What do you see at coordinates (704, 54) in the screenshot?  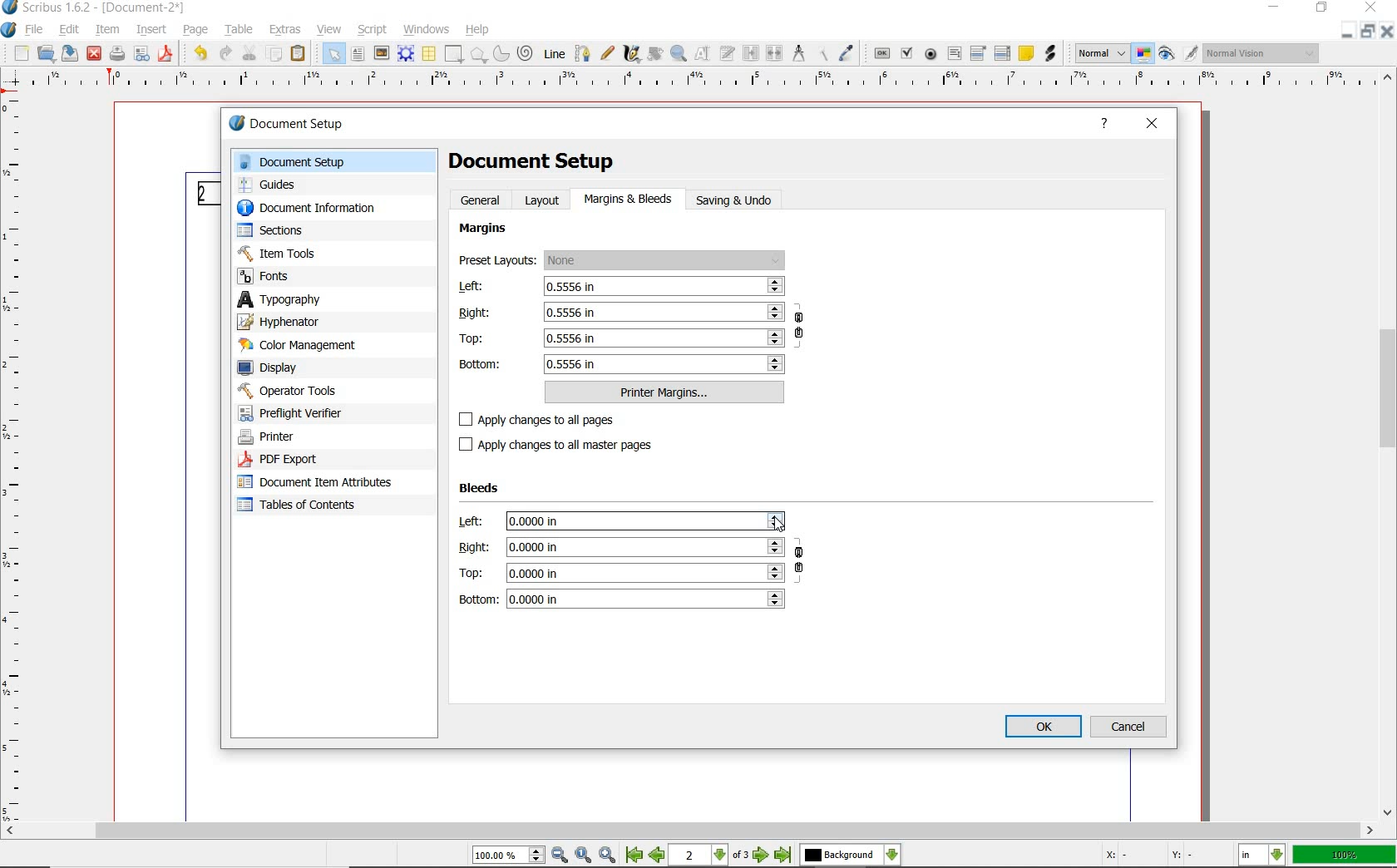 I see `edit contents of frame` at bounding box center [704, 54].